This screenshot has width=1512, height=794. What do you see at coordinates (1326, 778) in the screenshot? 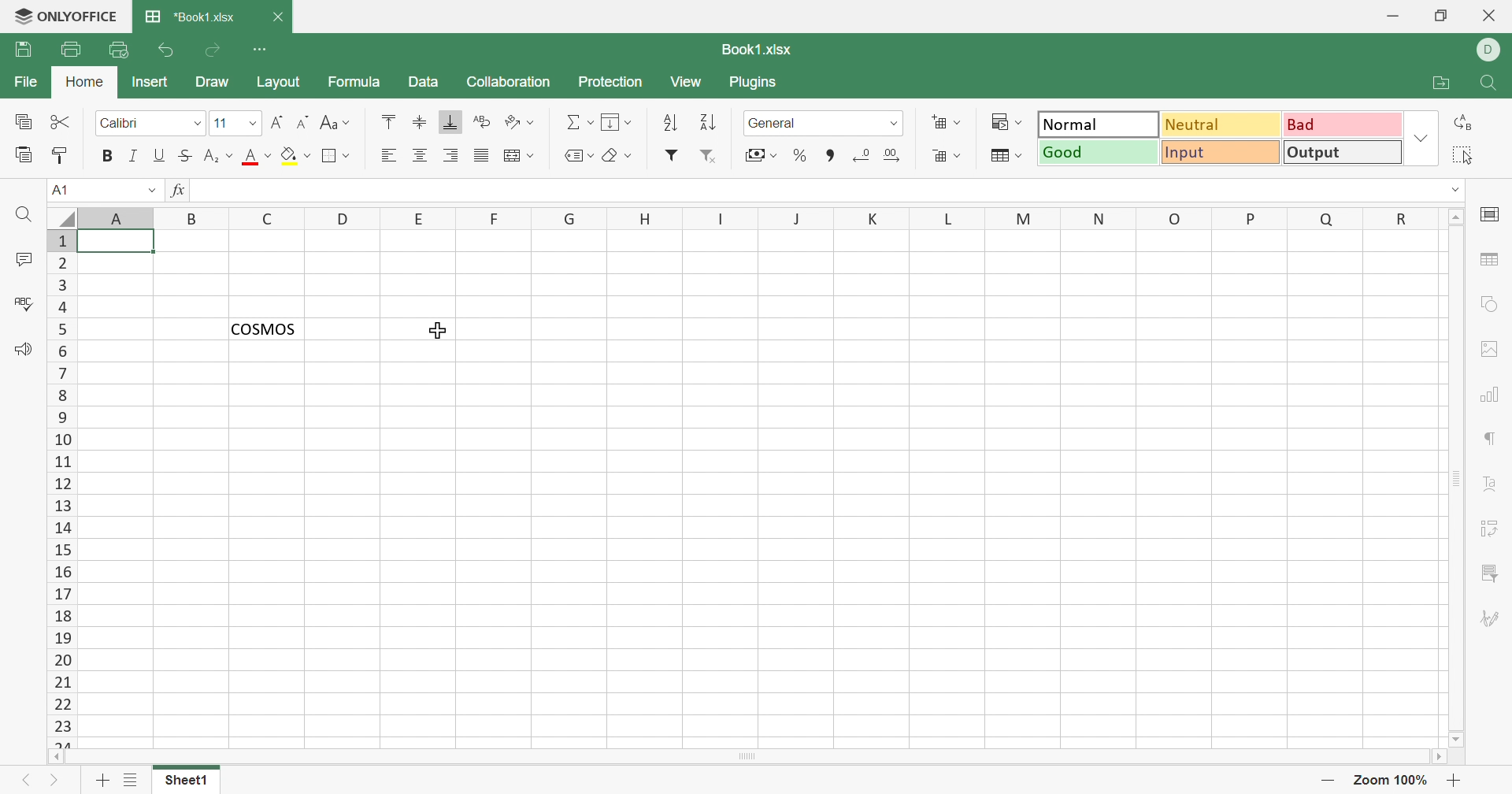
I see `Zoom out` at bounding box center [1326, 778].